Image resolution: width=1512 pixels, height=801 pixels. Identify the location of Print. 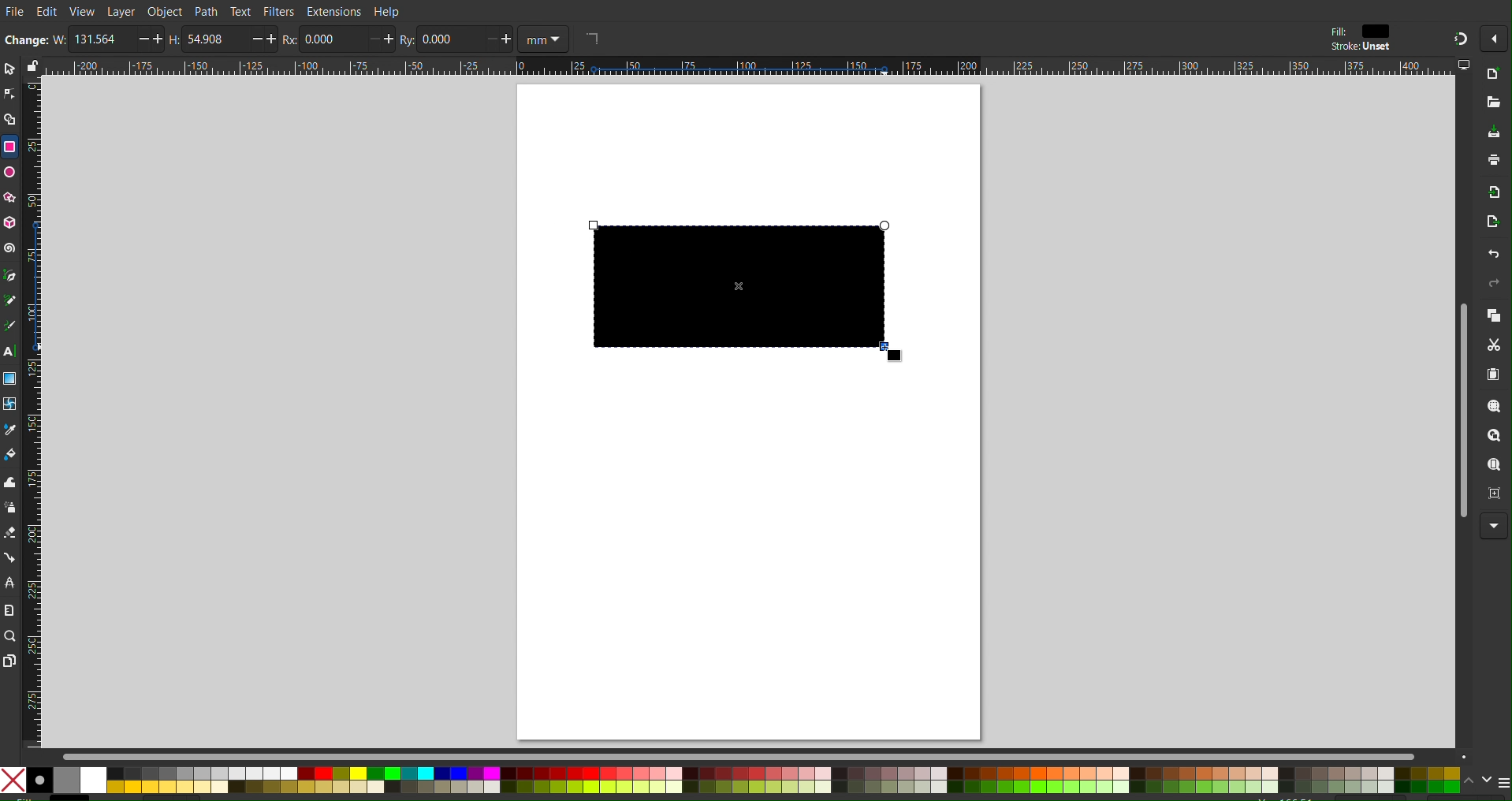
(1490, 164).